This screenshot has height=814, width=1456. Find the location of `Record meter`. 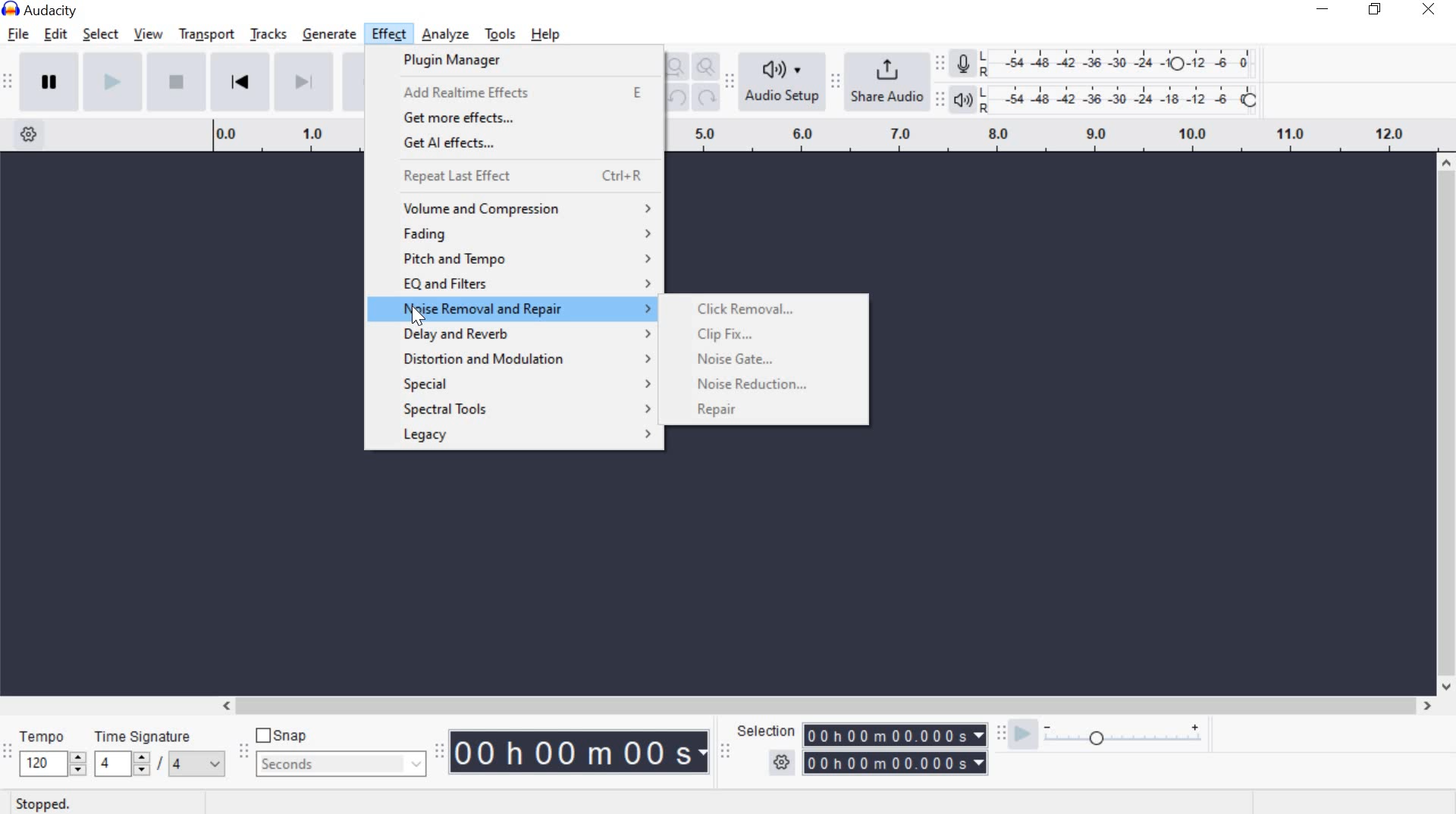

Record meter is located at coordinates (965, 64).